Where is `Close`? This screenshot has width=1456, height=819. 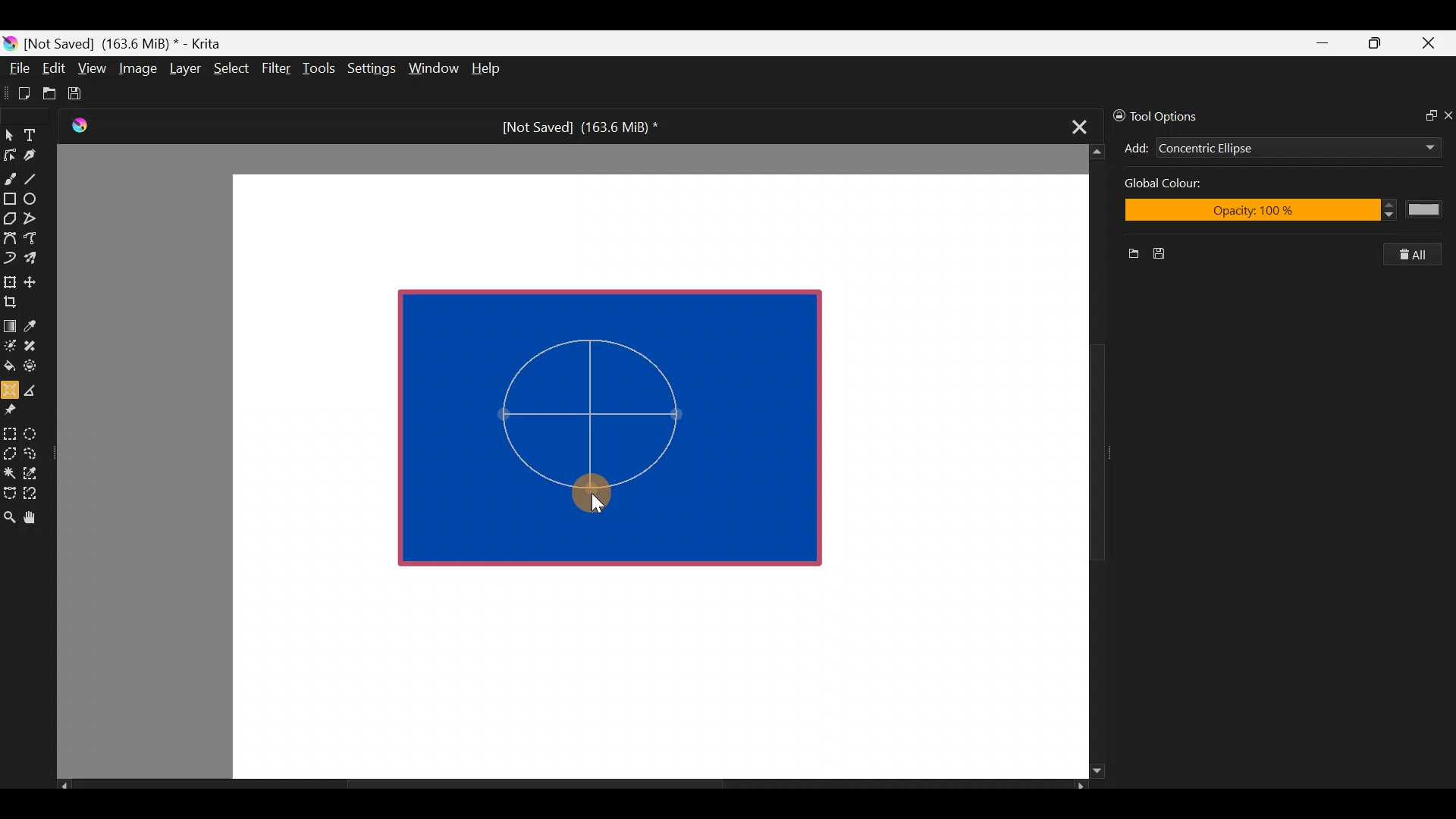
Close is located at coordinates (1429, 46).